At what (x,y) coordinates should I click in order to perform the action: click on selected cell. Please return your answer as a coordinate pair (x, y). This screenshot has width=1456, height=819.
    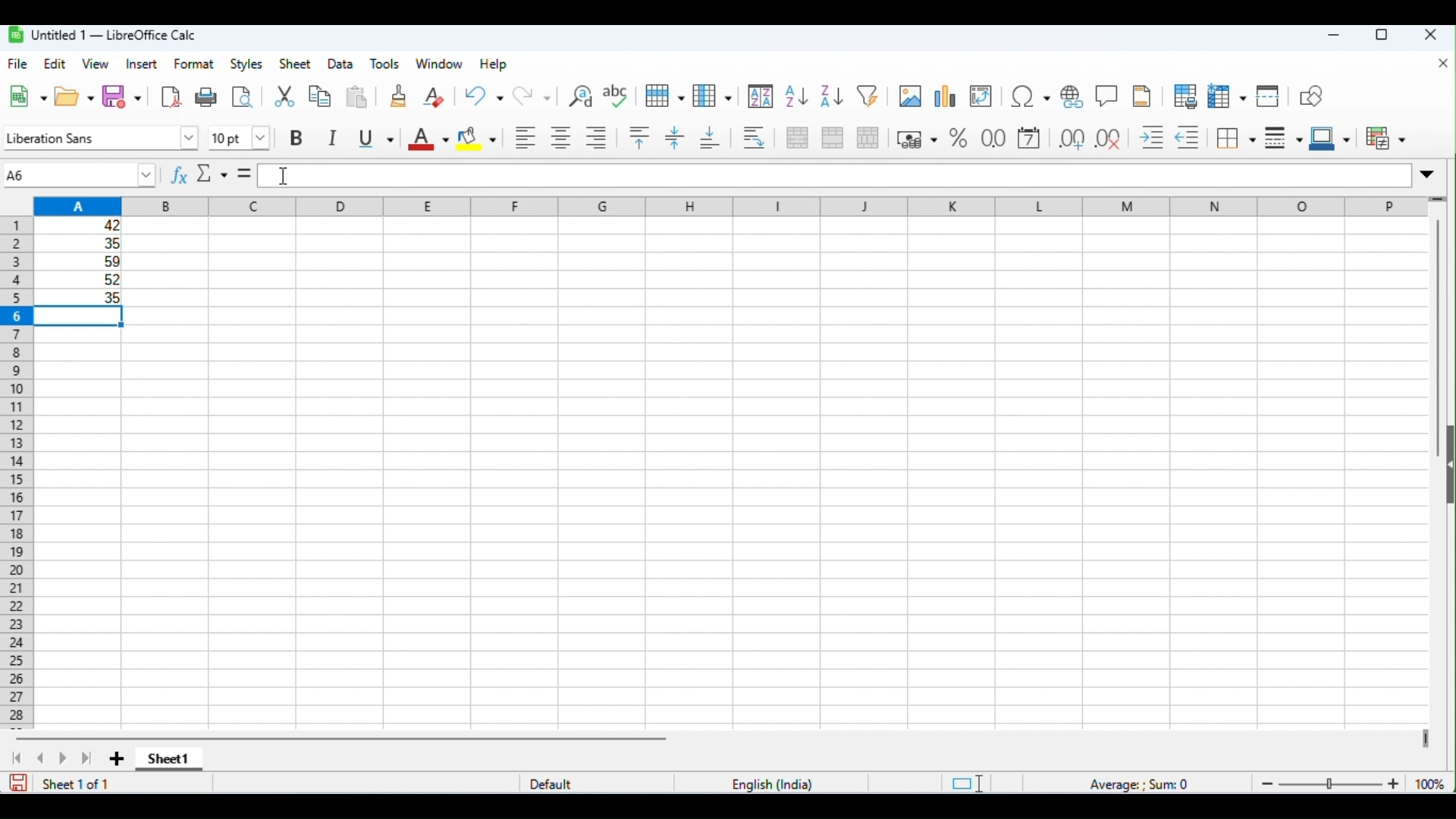
    Looking at the image, I should click on (80, 318).